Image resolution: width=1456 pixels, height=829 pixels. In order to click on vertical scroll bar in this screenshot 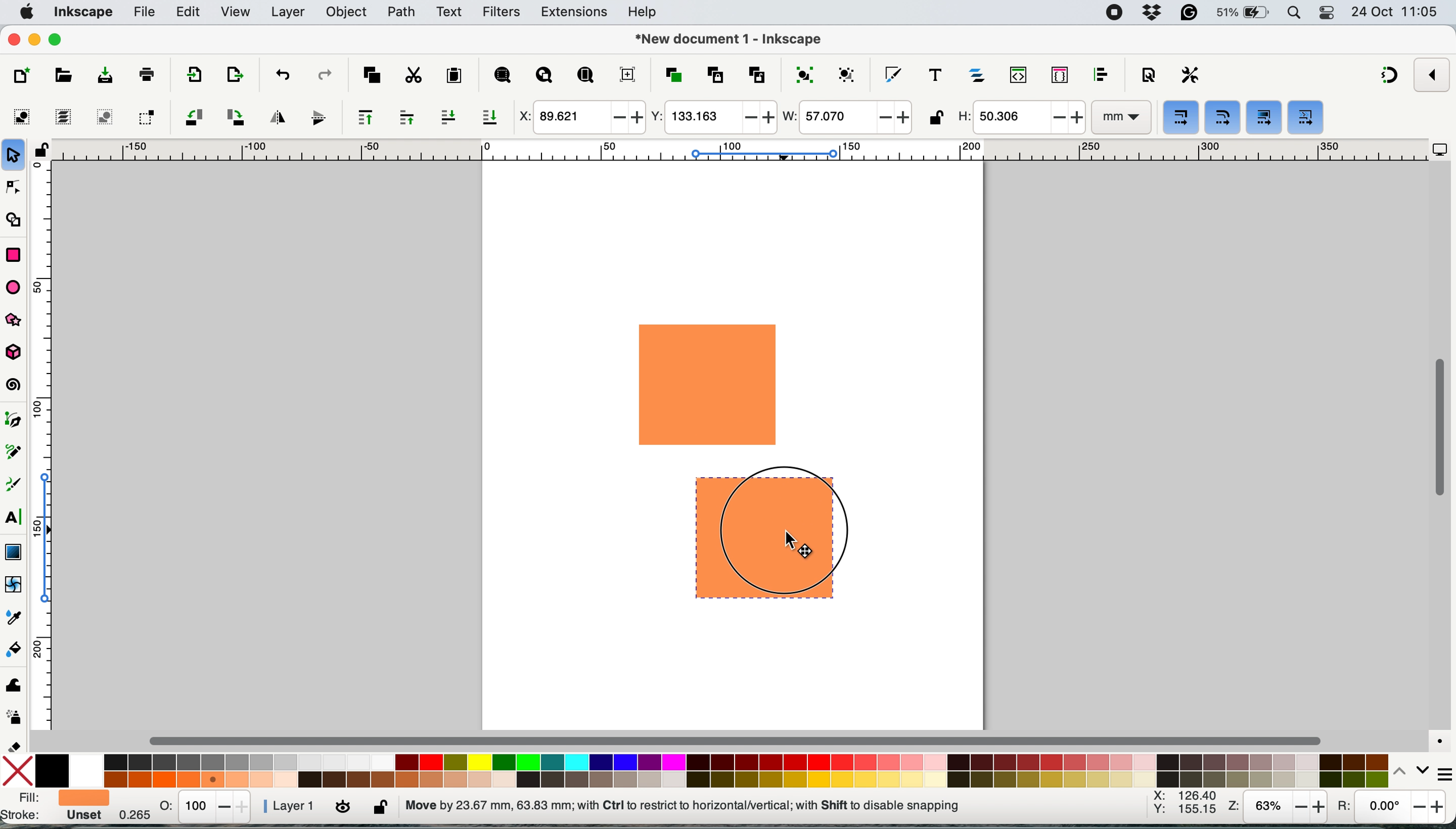, I will do `click(1439, 428)`.